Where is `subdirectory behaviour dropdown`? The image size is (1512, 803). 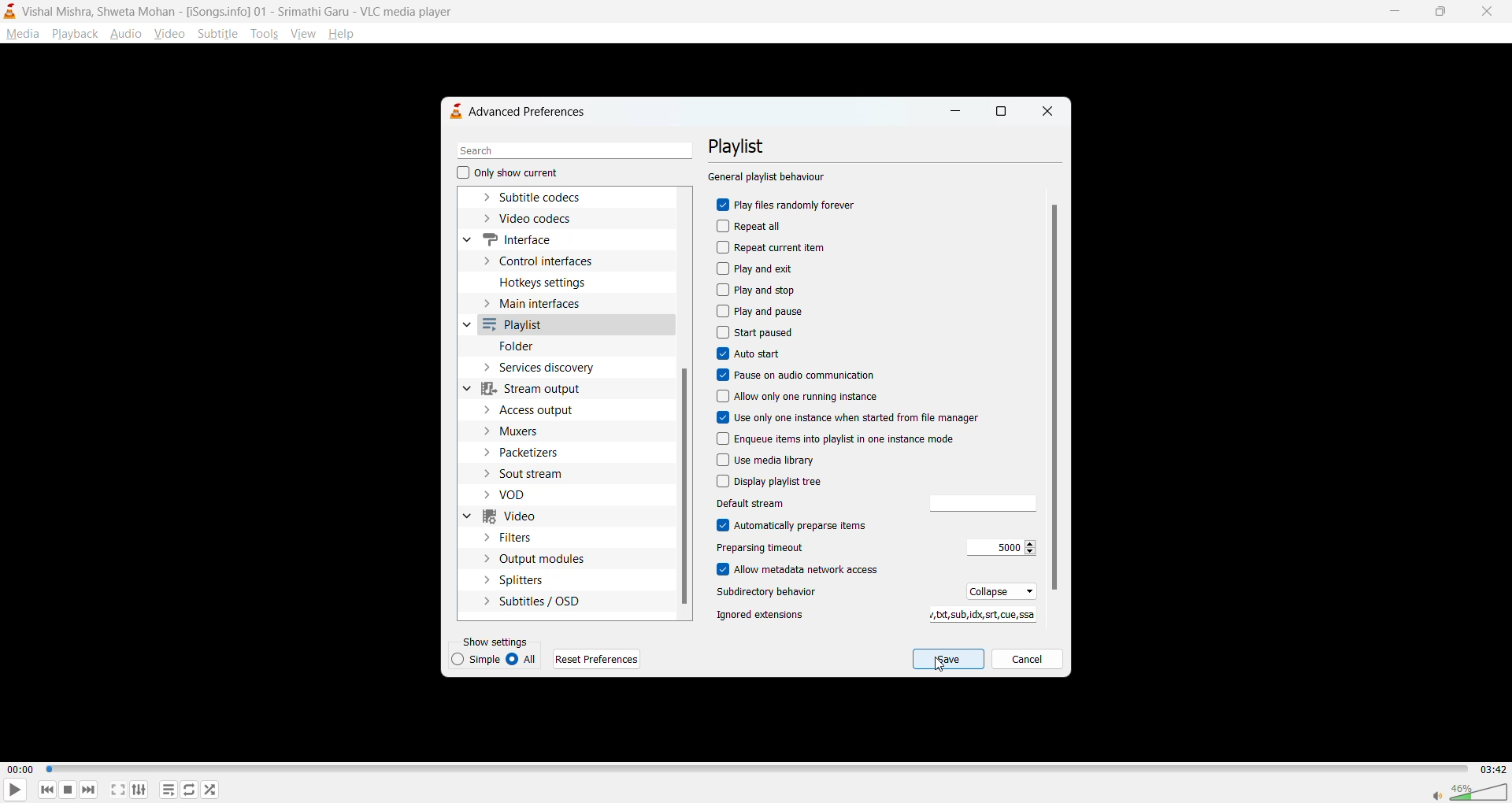
subdirectory behaviour dropdown is located at coordinates (997, 590).